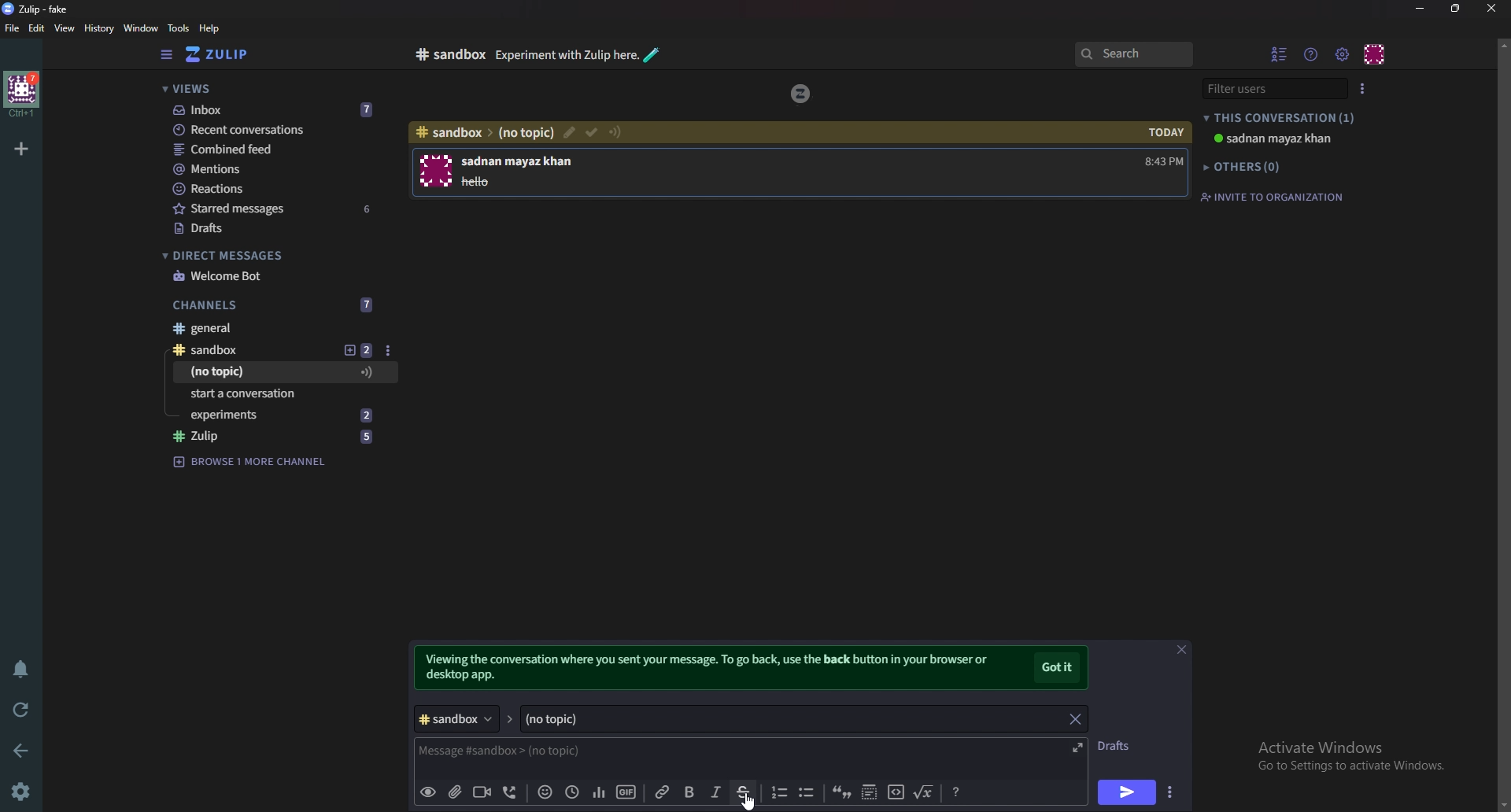 The image size is (1511, 812). Describe the element at coordinates (267, 168) in the screenshot. I see `Mentions` at that location.